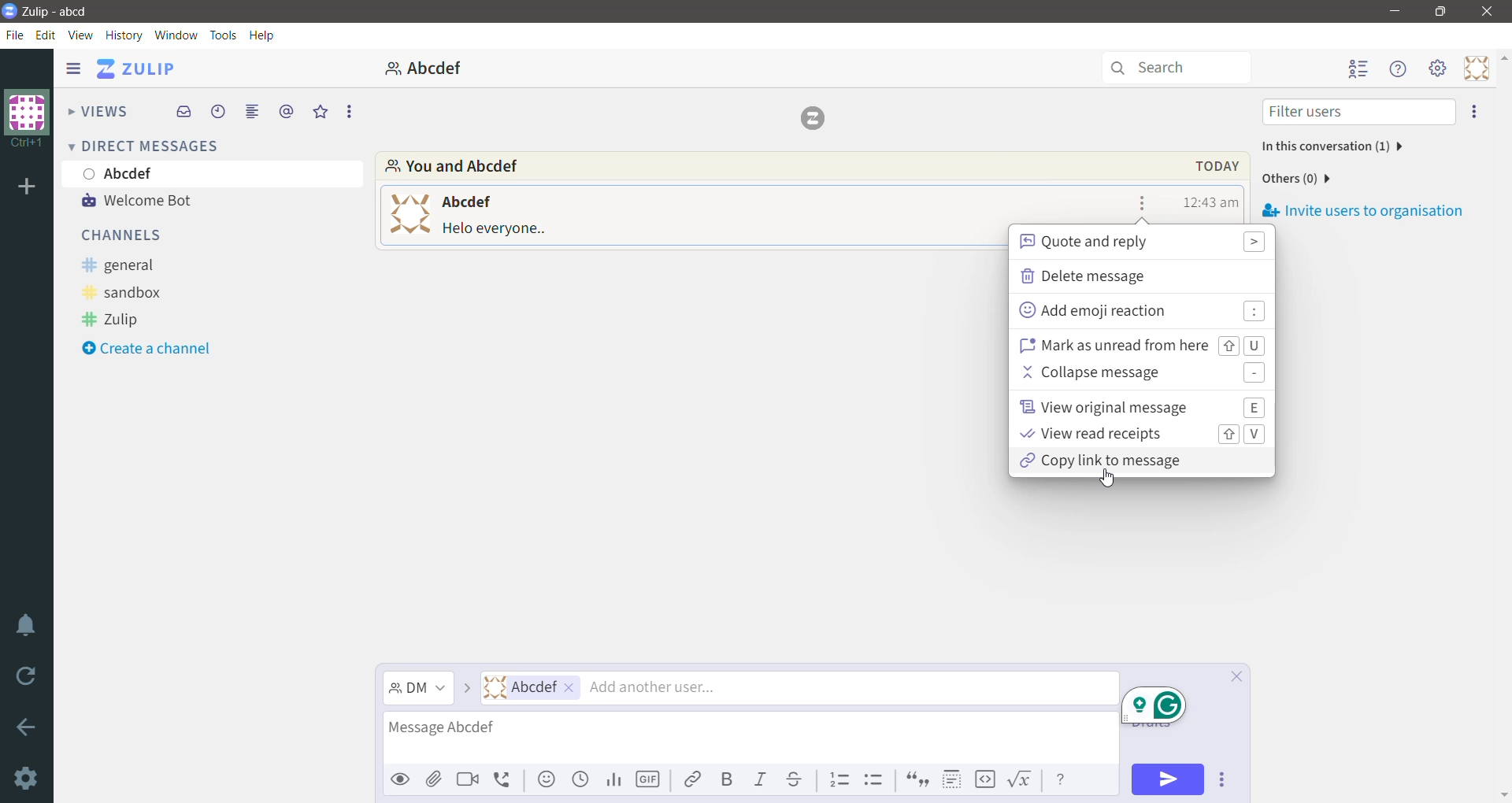 This screenshot has height=803, width=1512. What do you see at coordinates (400, 781) in the screenshot?
I see `Preview` at bounding box center [400, 781].